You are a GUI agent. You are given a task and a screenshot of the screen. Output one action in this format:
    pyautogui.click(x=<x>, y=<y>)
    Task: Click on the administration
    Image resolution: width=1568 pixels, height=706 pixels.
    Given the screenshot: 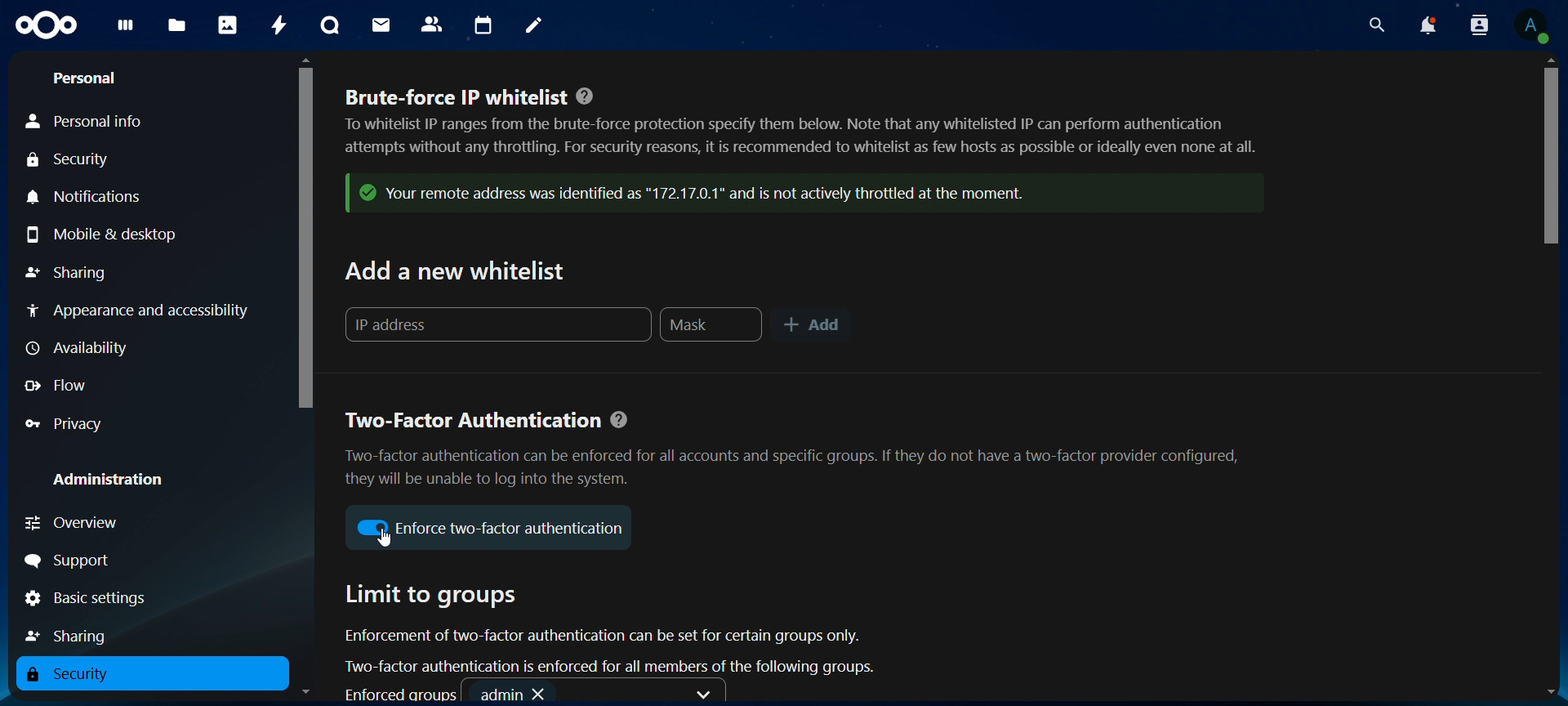 What is the action you would take?
    pyautogui.click(x=108, y=479)
    